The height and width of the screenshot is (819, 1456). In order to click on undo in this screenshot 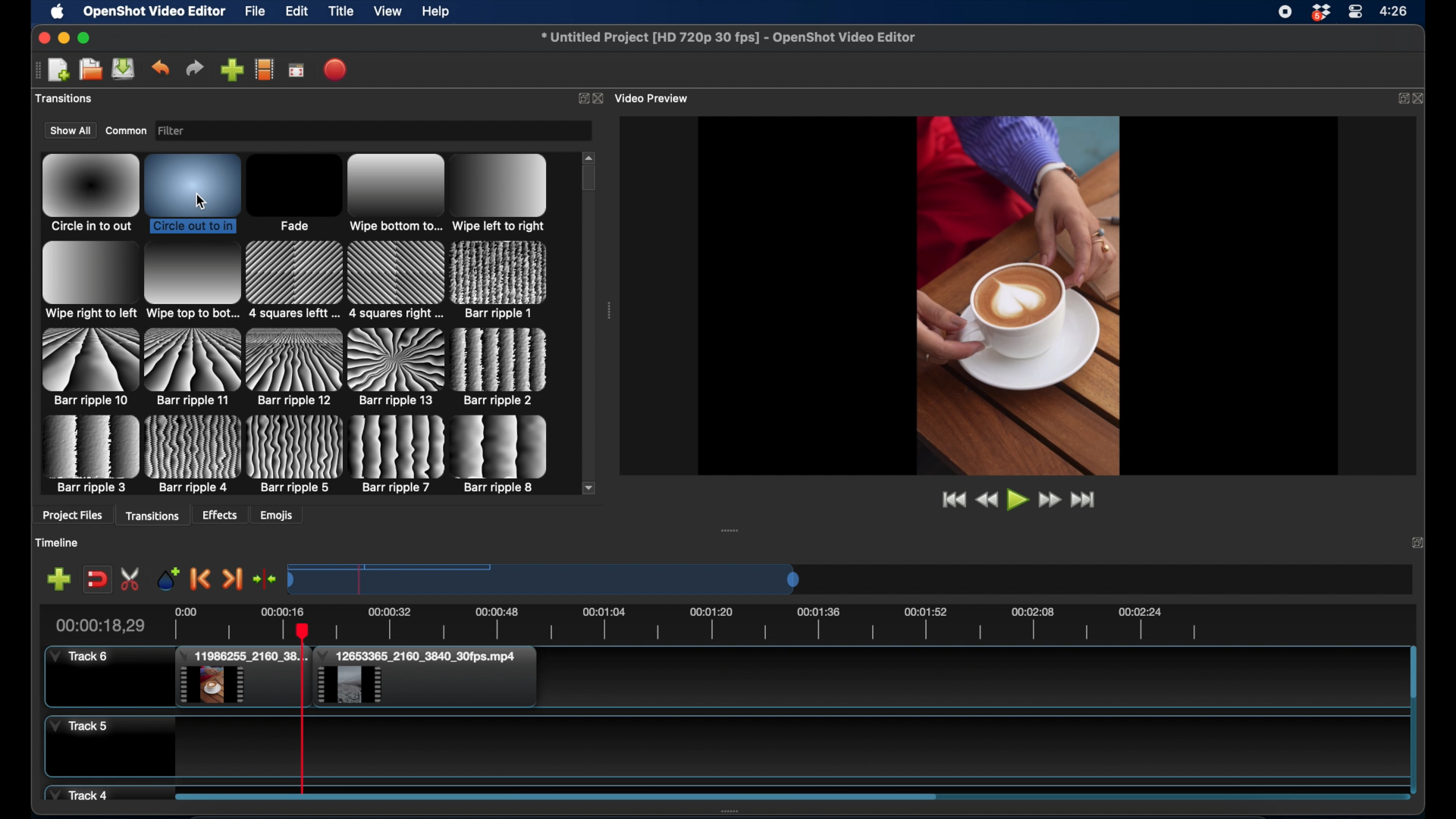, I will do `click(162, 67)`.